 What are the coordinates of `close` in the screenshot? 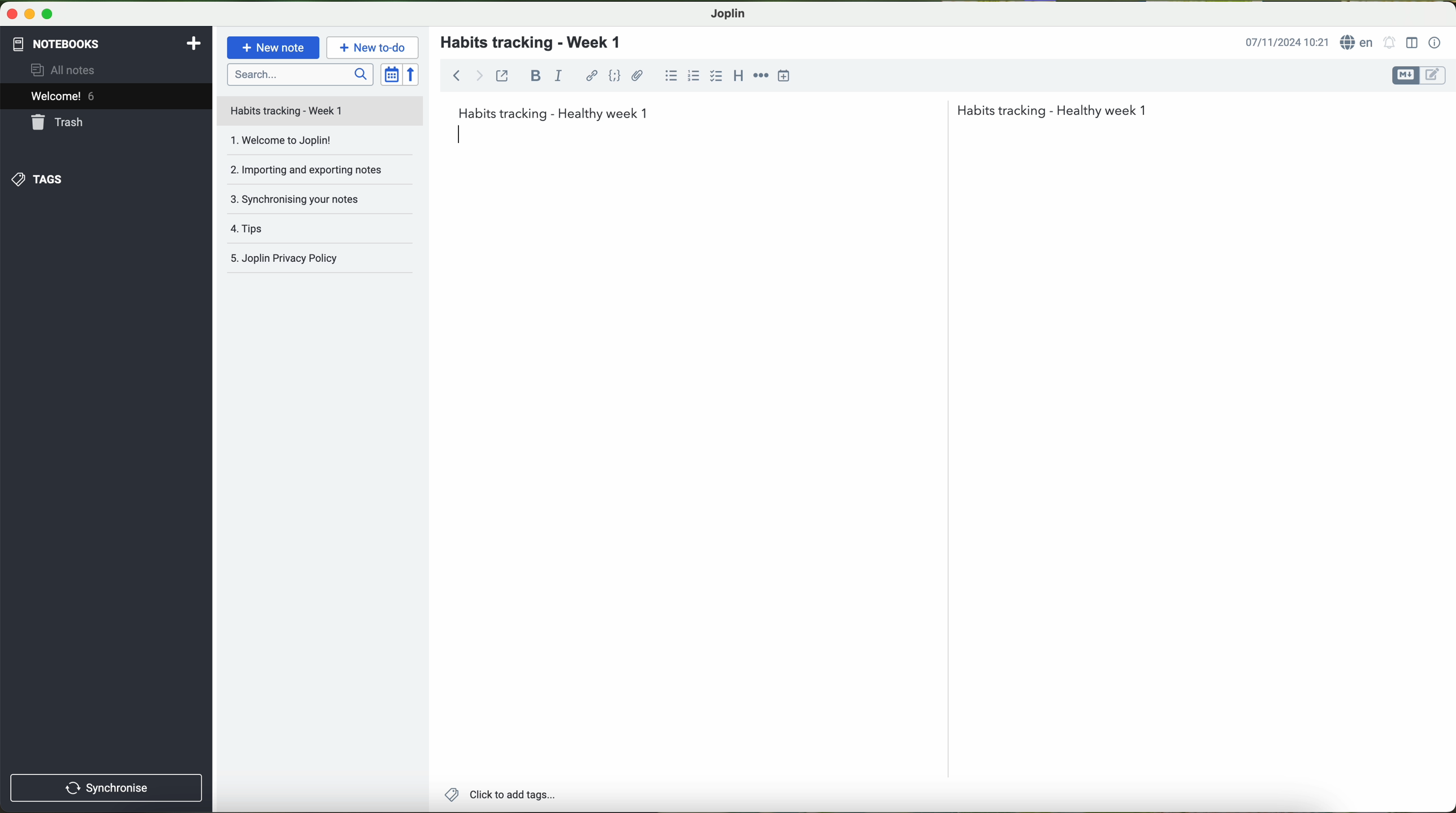 It's located at (9, 12).